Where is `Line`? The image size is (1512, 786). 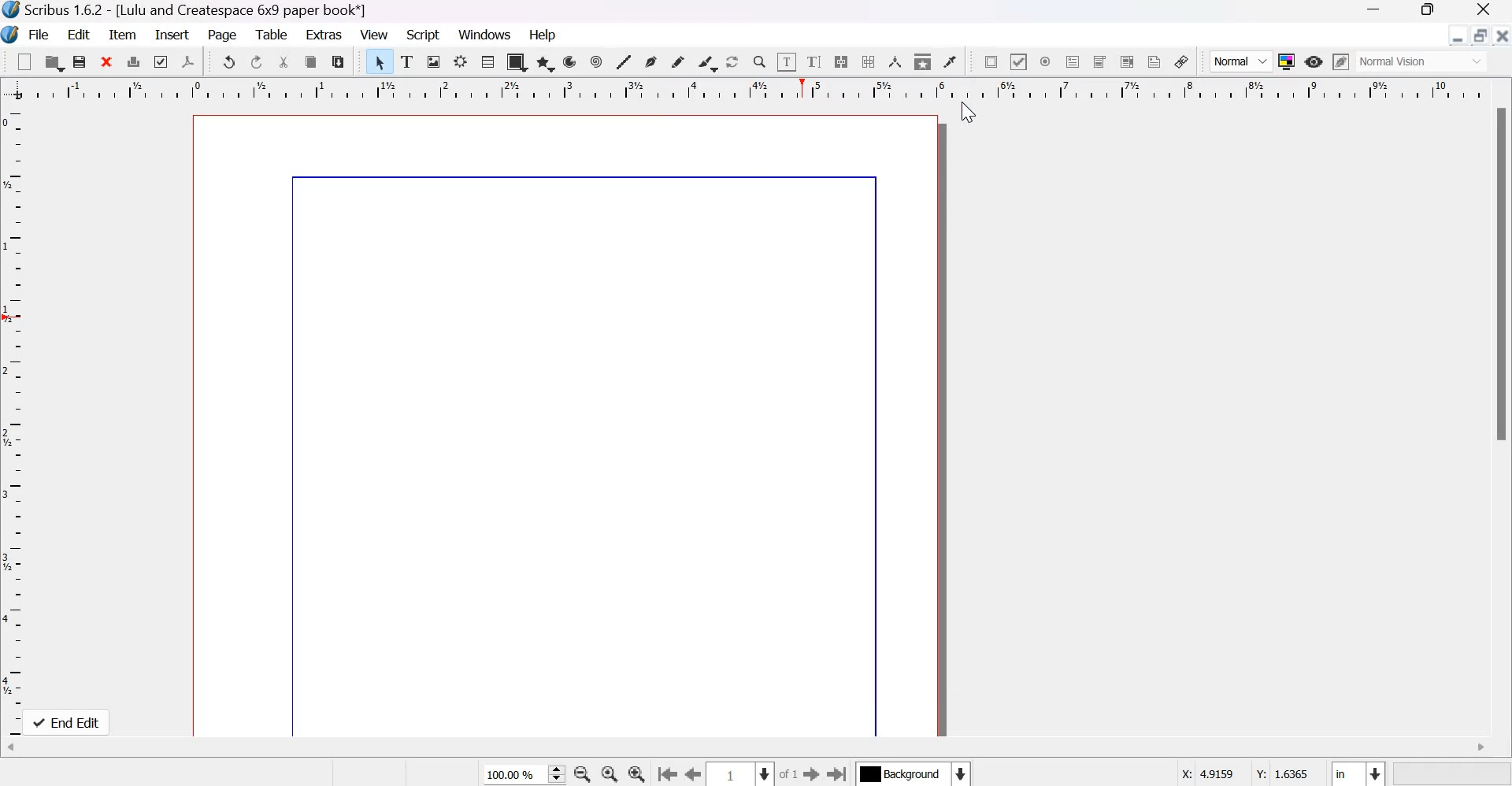 Line is located at coordinates (624, 63).